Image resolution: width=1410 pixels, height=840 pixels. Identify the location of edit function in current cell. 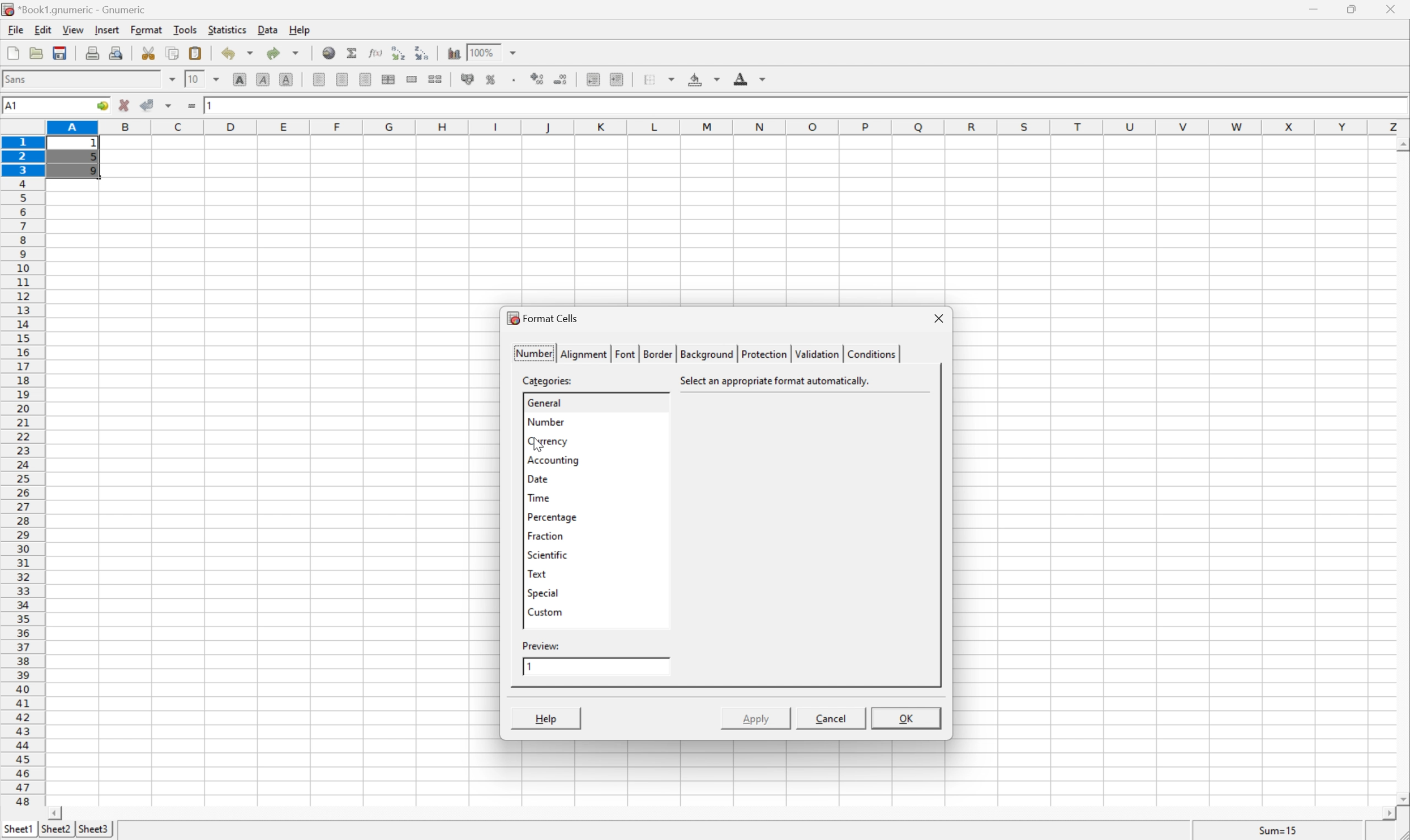
(377, 52).